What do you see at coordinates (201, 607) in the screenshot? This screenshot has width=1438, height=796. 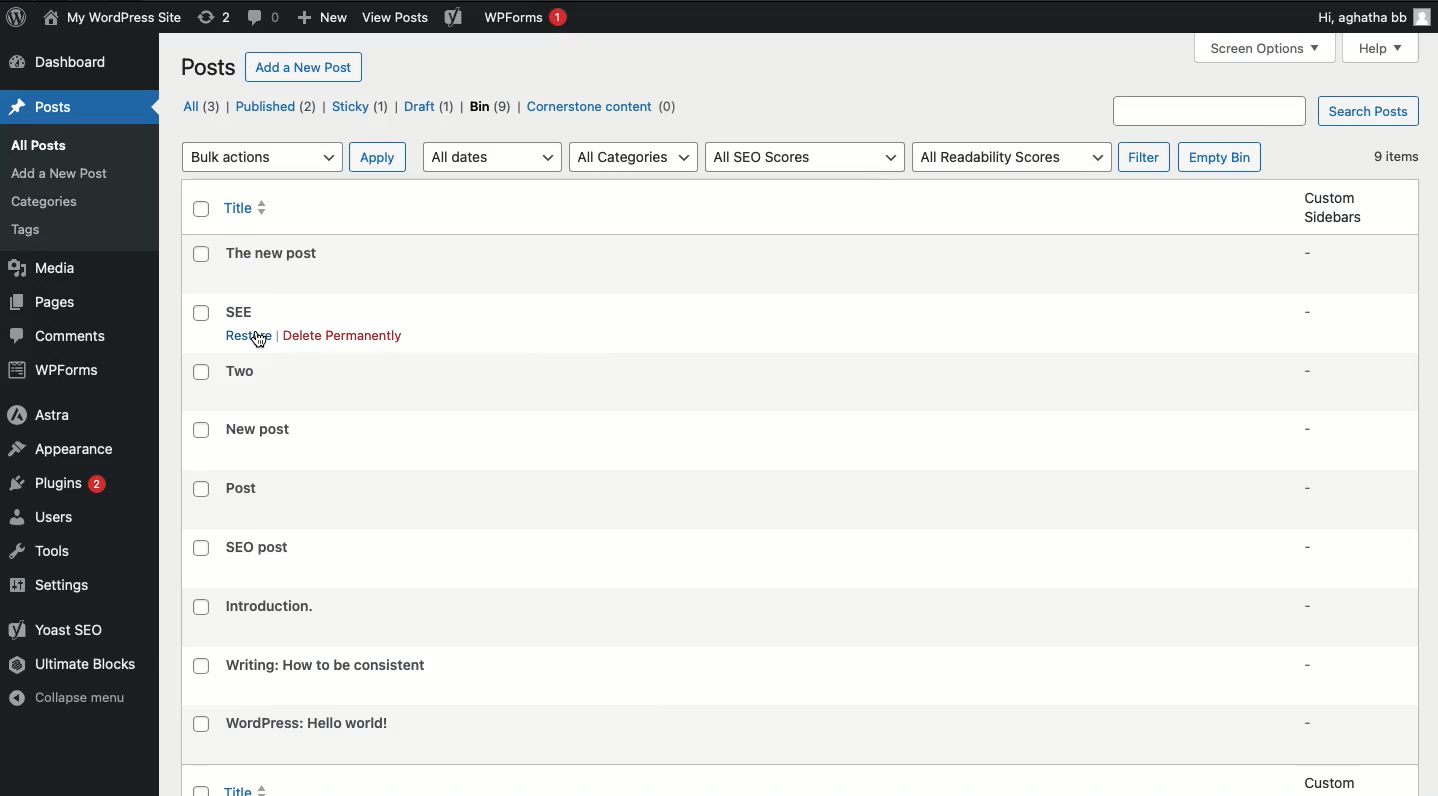 I see `Checkbox` at bounding box center [201, 607].